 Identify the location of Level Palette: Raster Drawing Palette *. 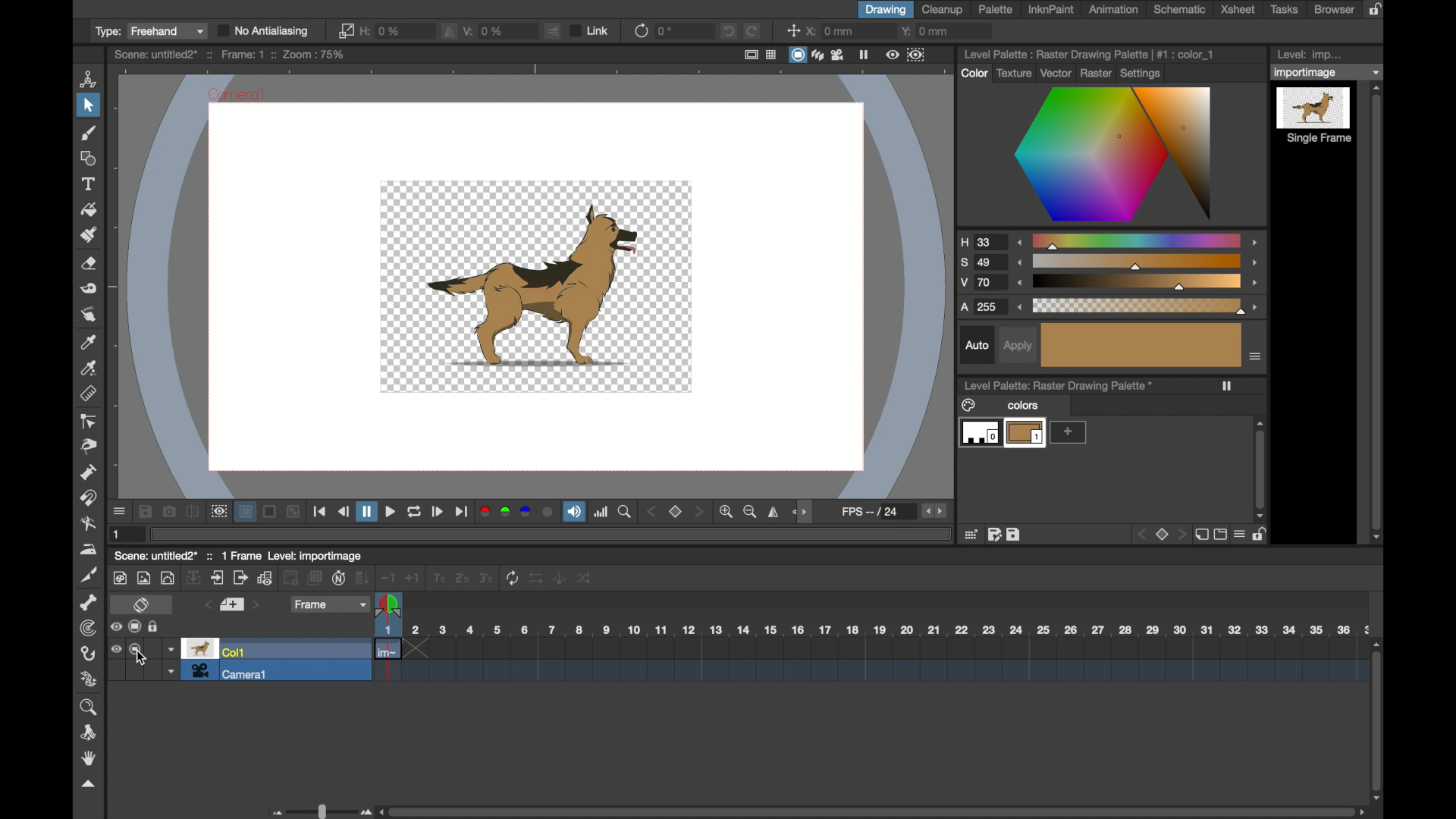
(1058, 385).